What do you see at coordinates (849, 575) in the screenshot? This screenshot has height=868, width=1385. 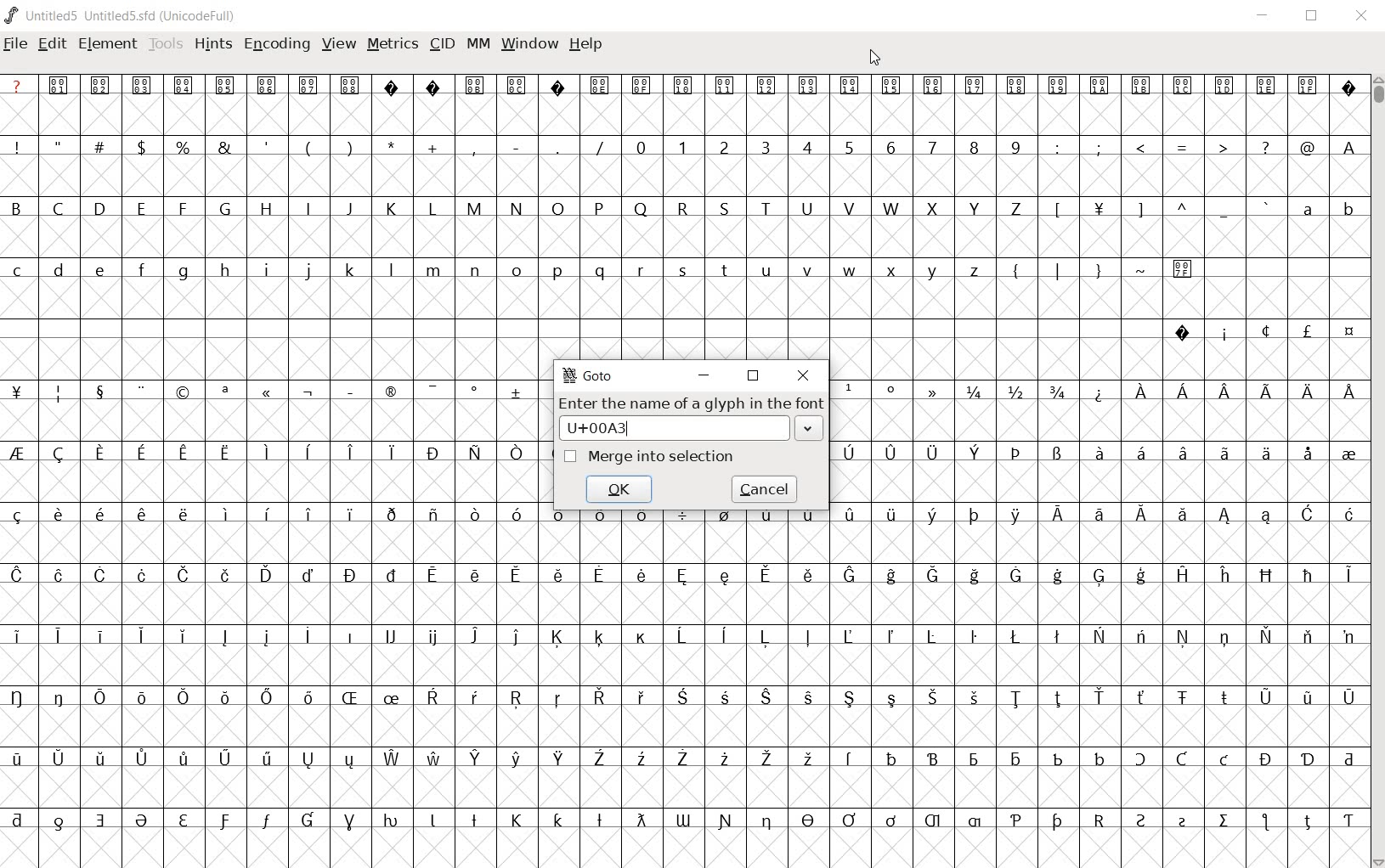 I see `Symbol` at bounding box center [849, 575].